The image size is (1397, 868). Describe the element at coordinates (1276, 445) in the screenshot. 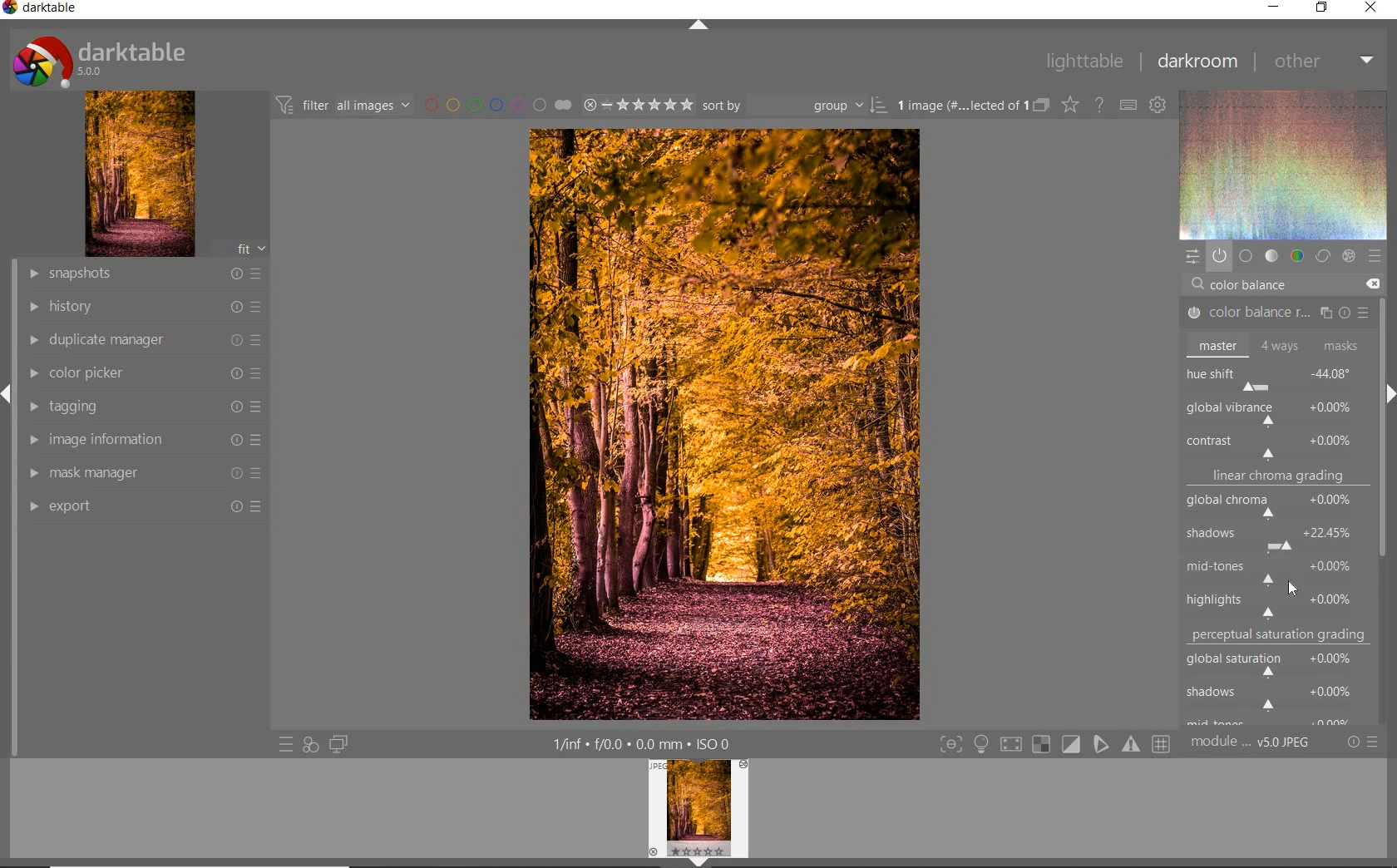

I see `contrast` at that location.